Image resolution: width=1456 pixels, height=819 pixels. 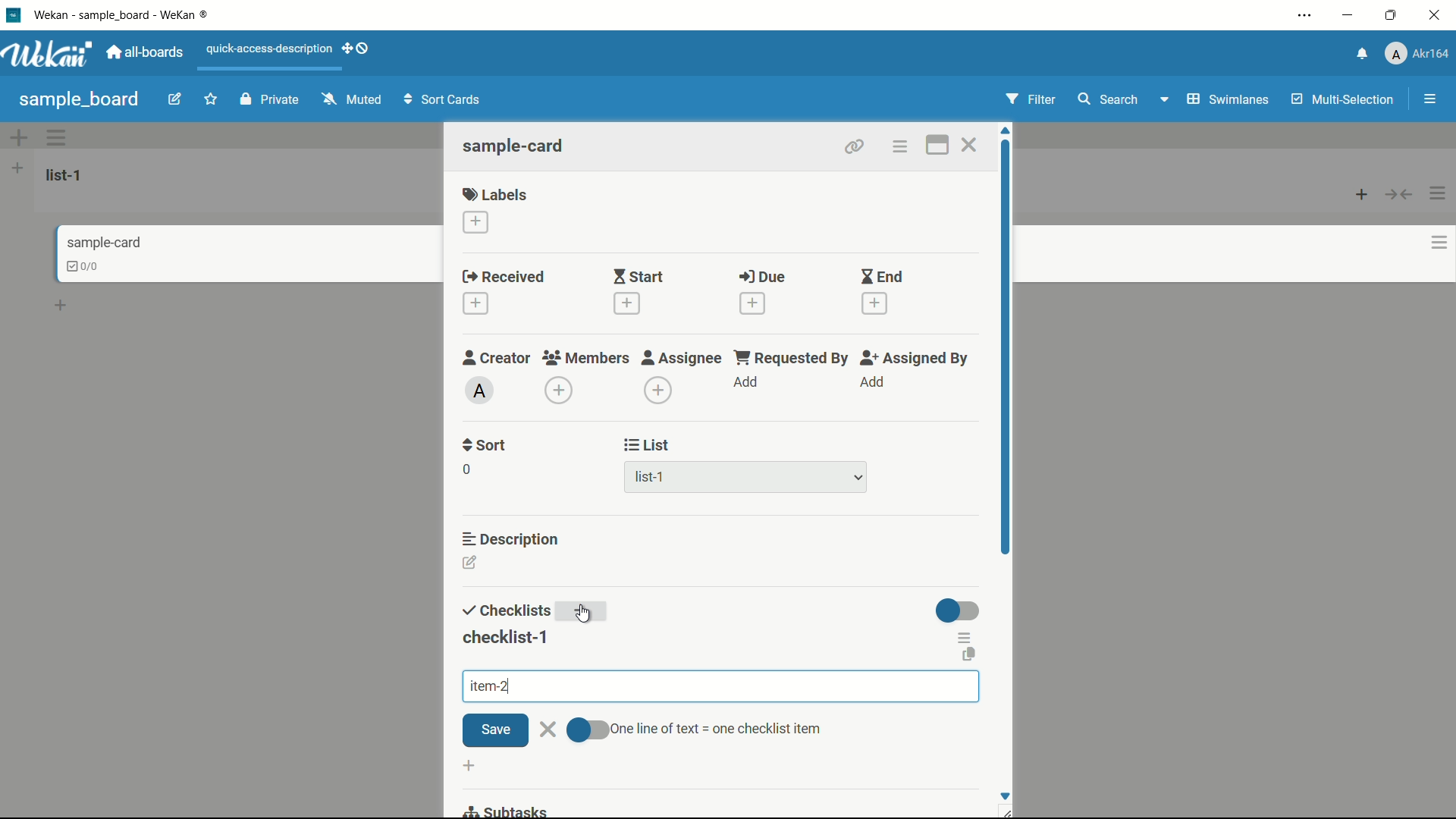 What do you see at coordinates (175, 101) in the screenshot?
I see `edit` at bounding box center [175, 101].